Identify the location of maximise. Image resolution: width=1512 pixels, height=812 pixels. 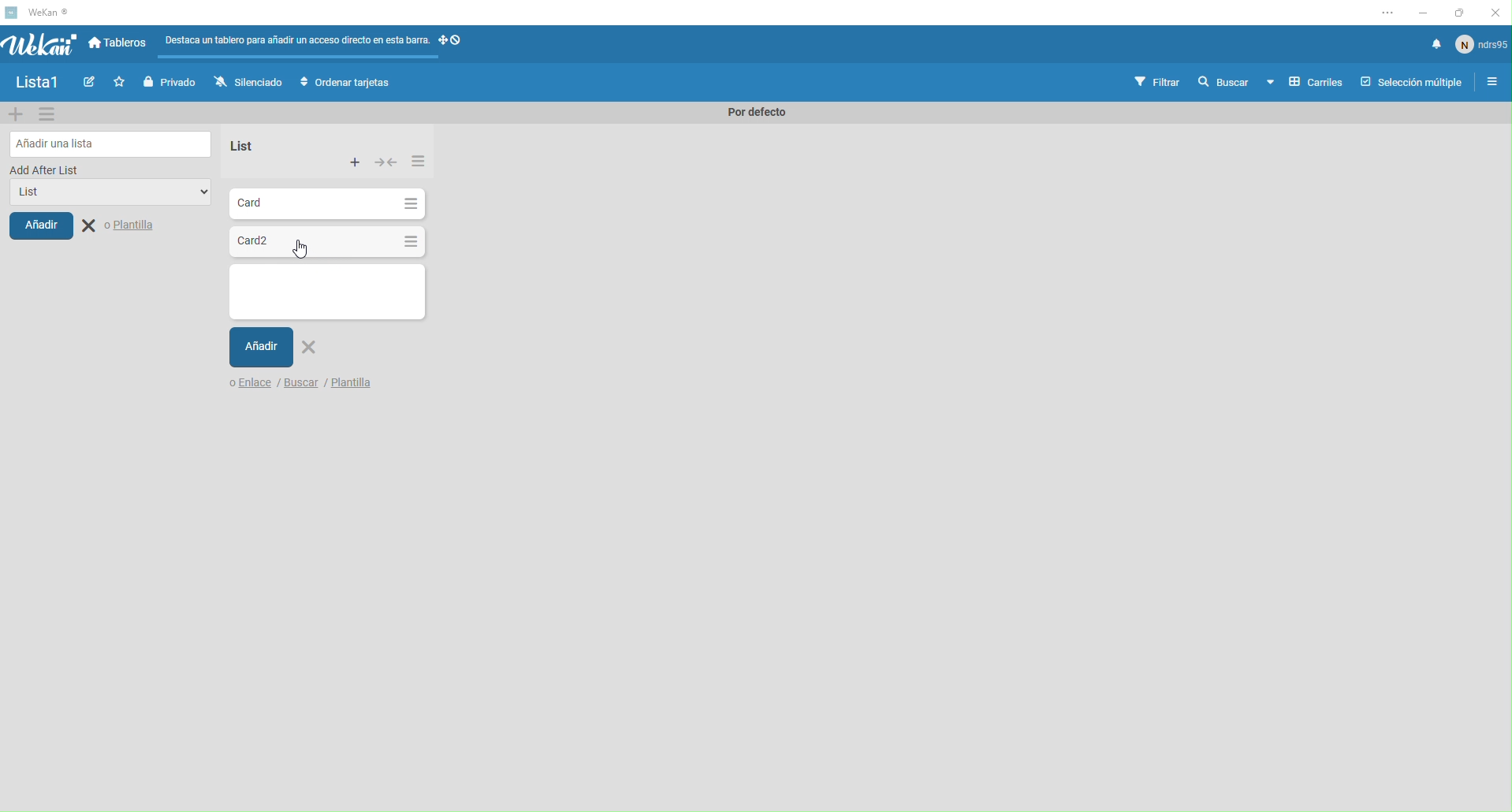
(1461, 12).